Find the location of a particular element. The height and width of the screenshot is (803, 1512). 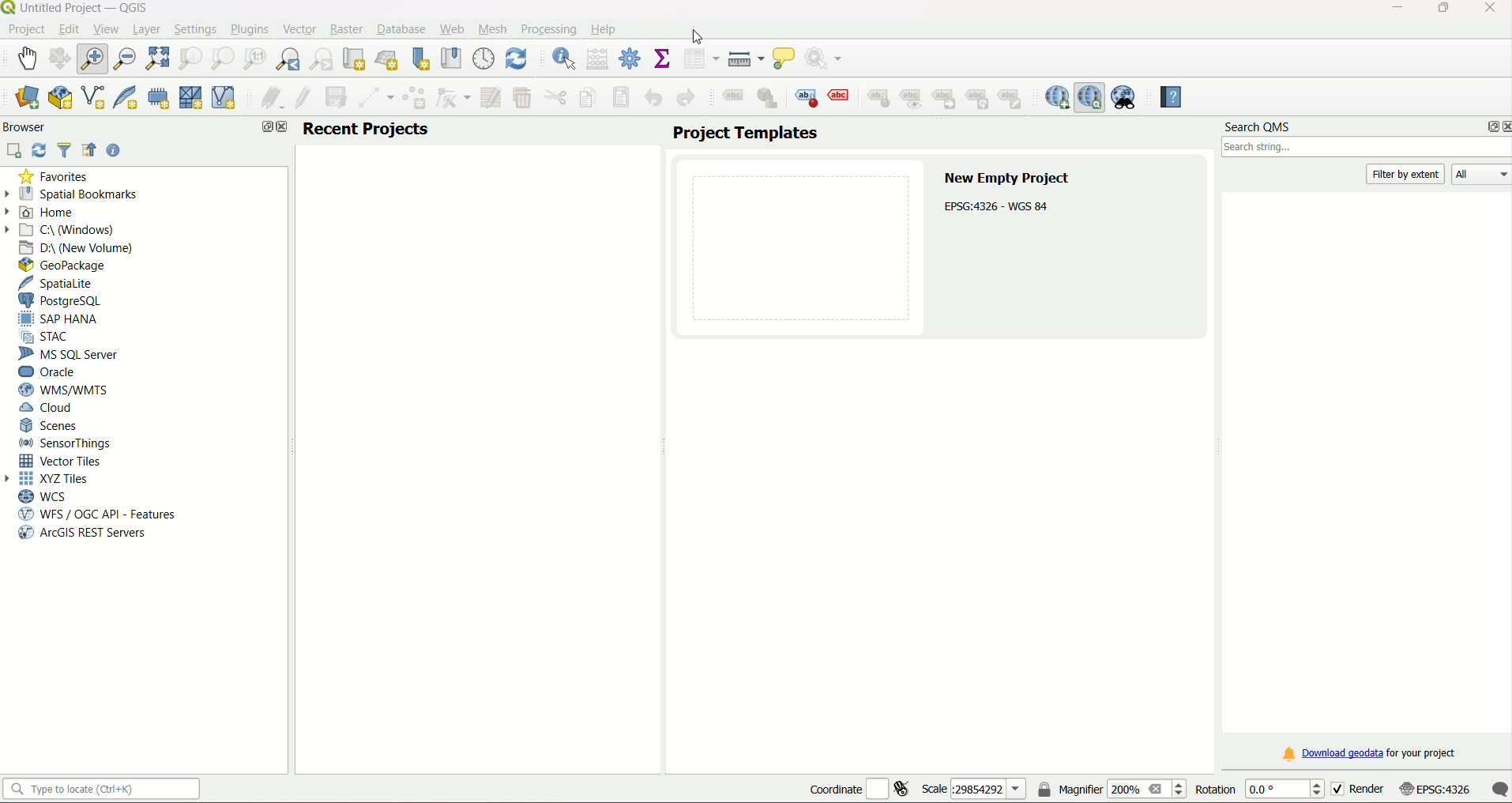

zoom in is located at coordinates (96, 58).